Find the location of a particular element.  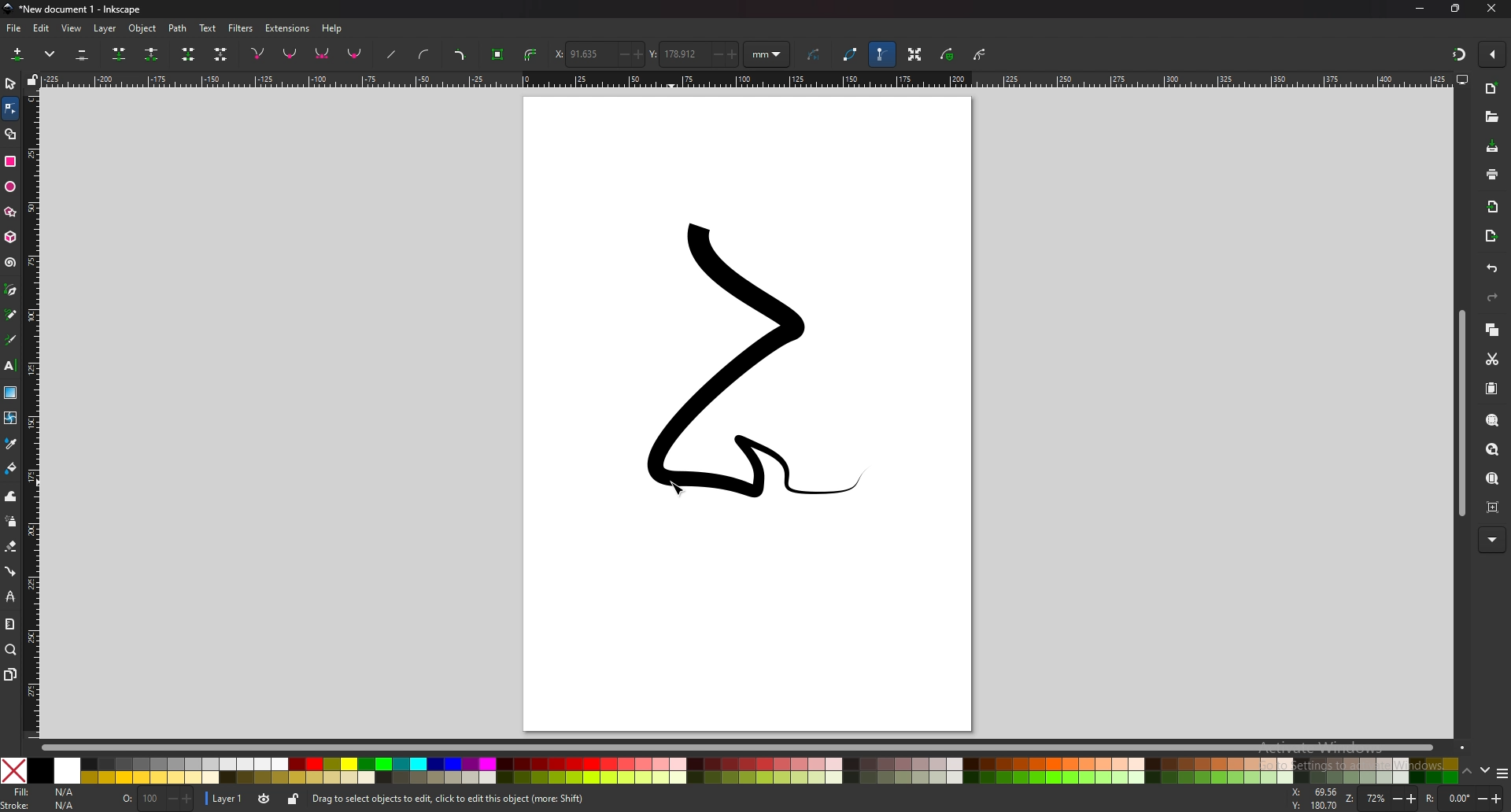

pages is located at coordinates (10, 675).